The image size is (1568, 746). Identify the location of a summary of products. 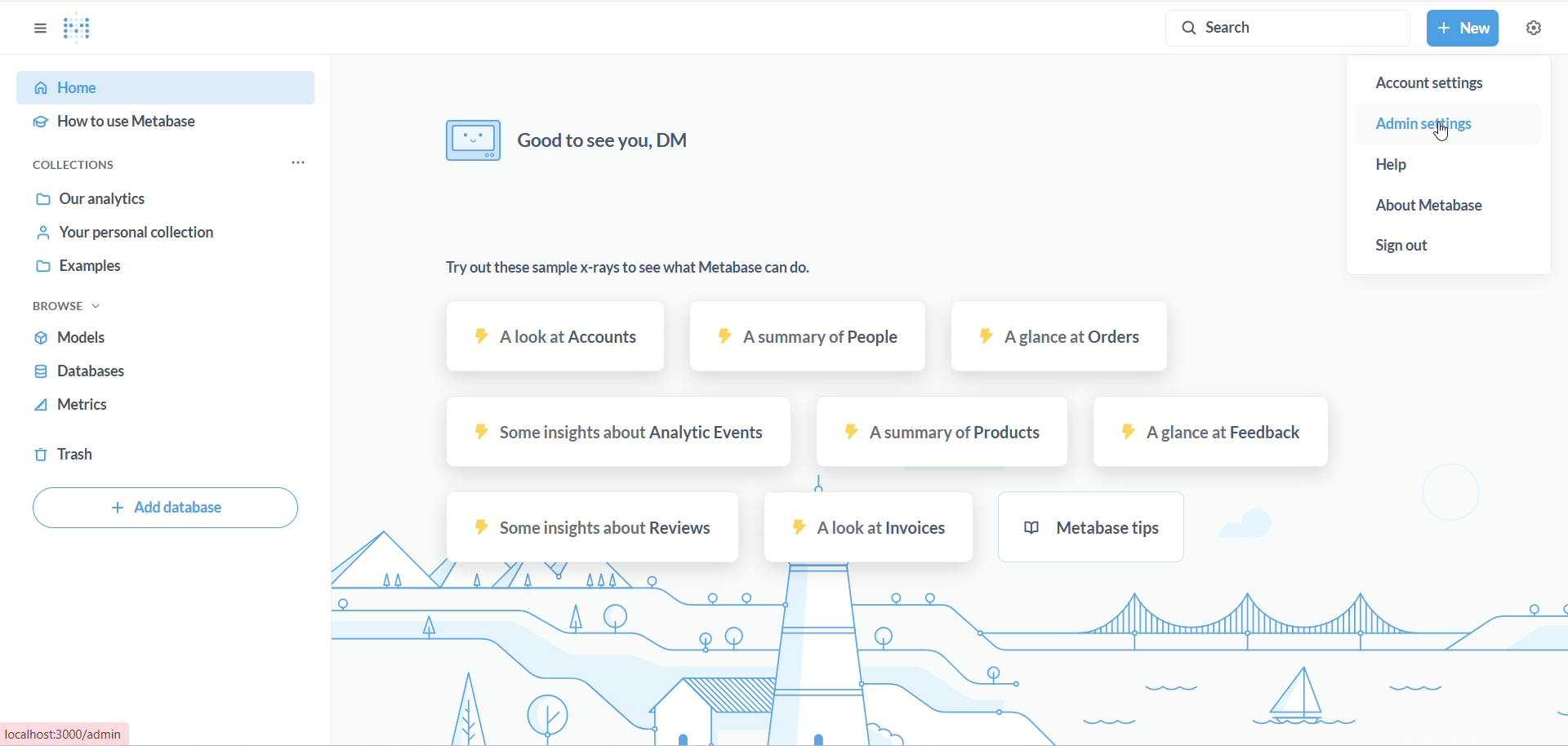
(944, 432).